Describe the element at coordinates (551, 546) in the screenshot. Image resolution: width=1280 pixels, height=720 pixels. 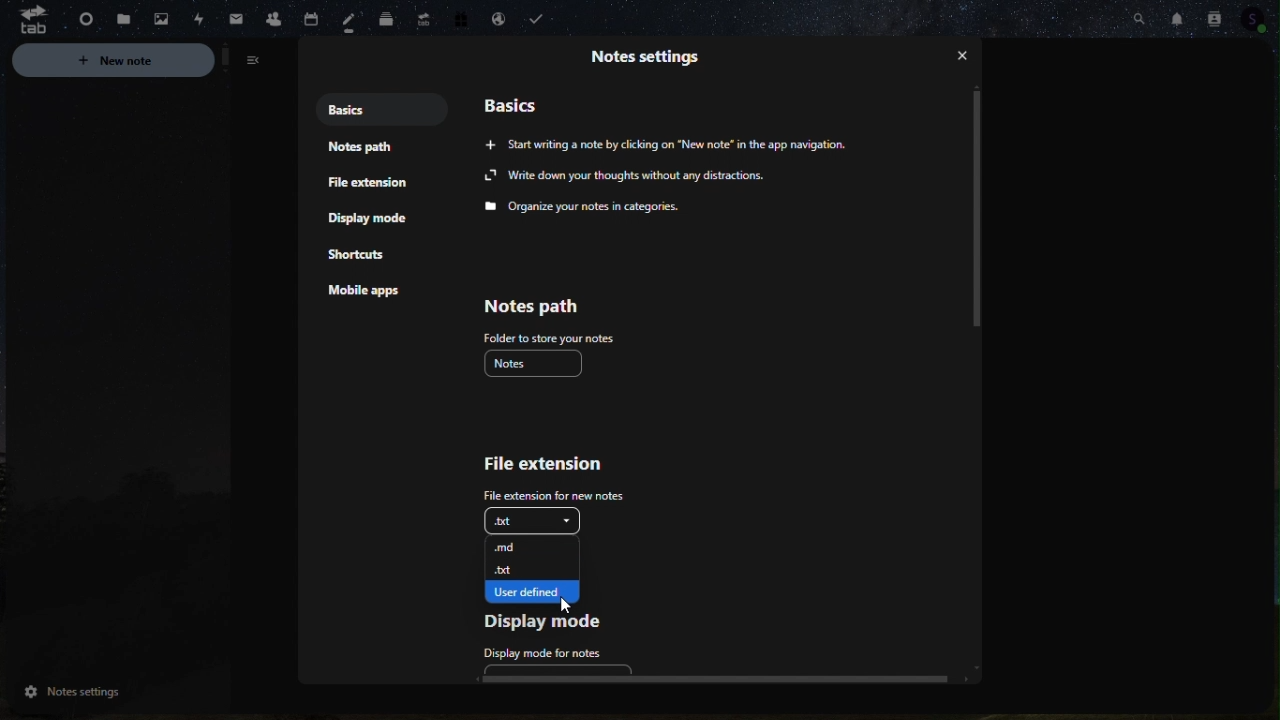
I see `.md` at that location.